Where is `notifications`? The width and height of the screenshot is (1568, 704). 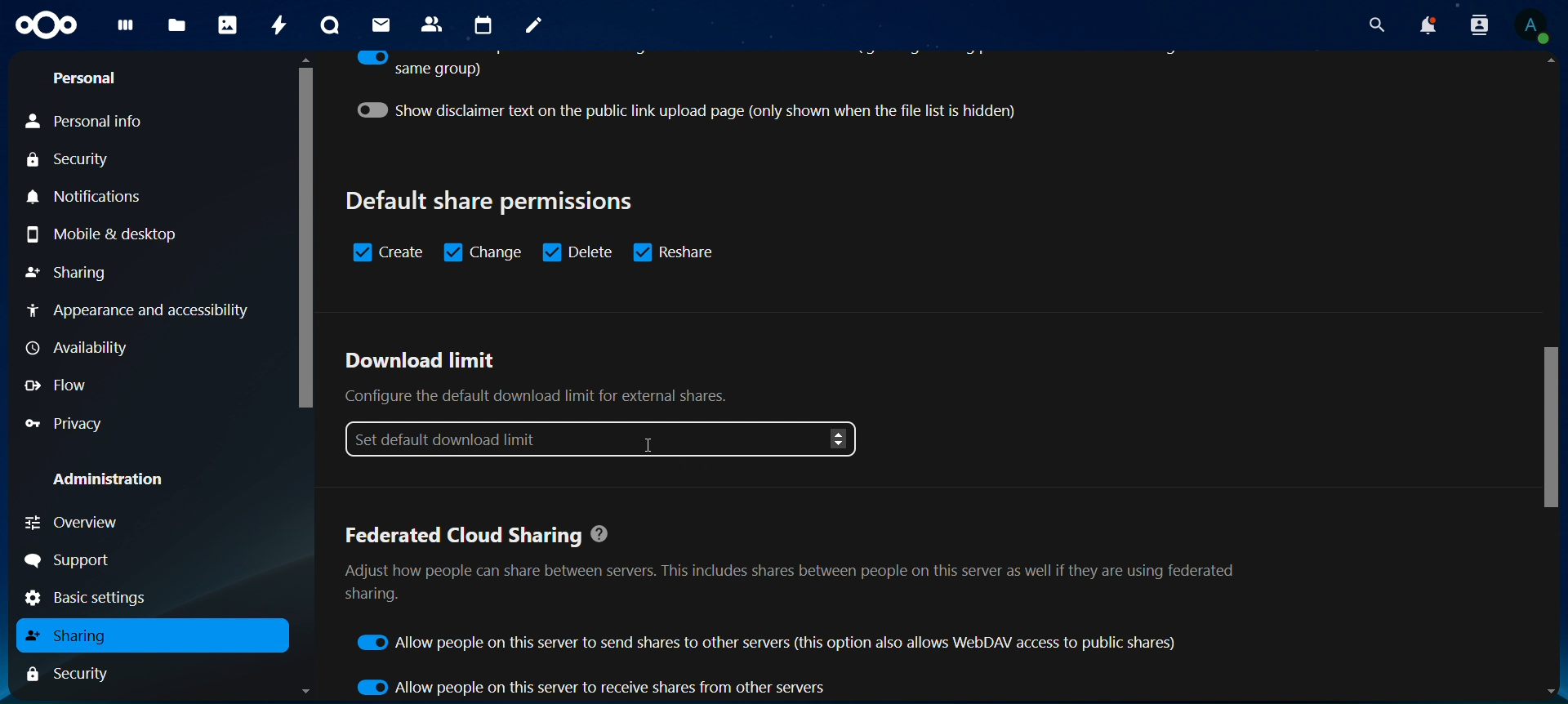 notifications is located at coordinates (1427, 25).